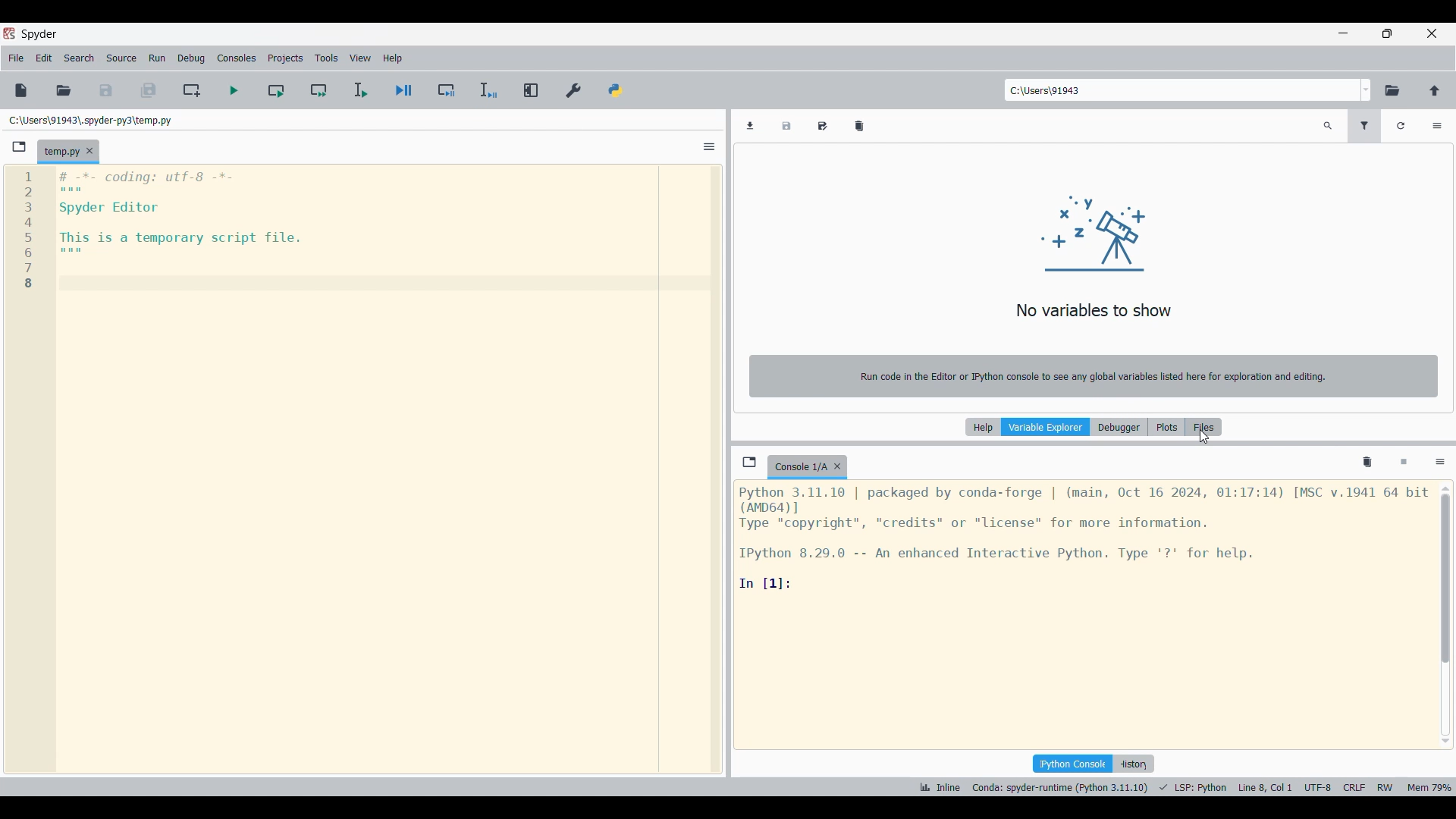  What do you see at coordinates (64, 91) in the screenshot?
I see `Open file` at bounding box center [64, 91].